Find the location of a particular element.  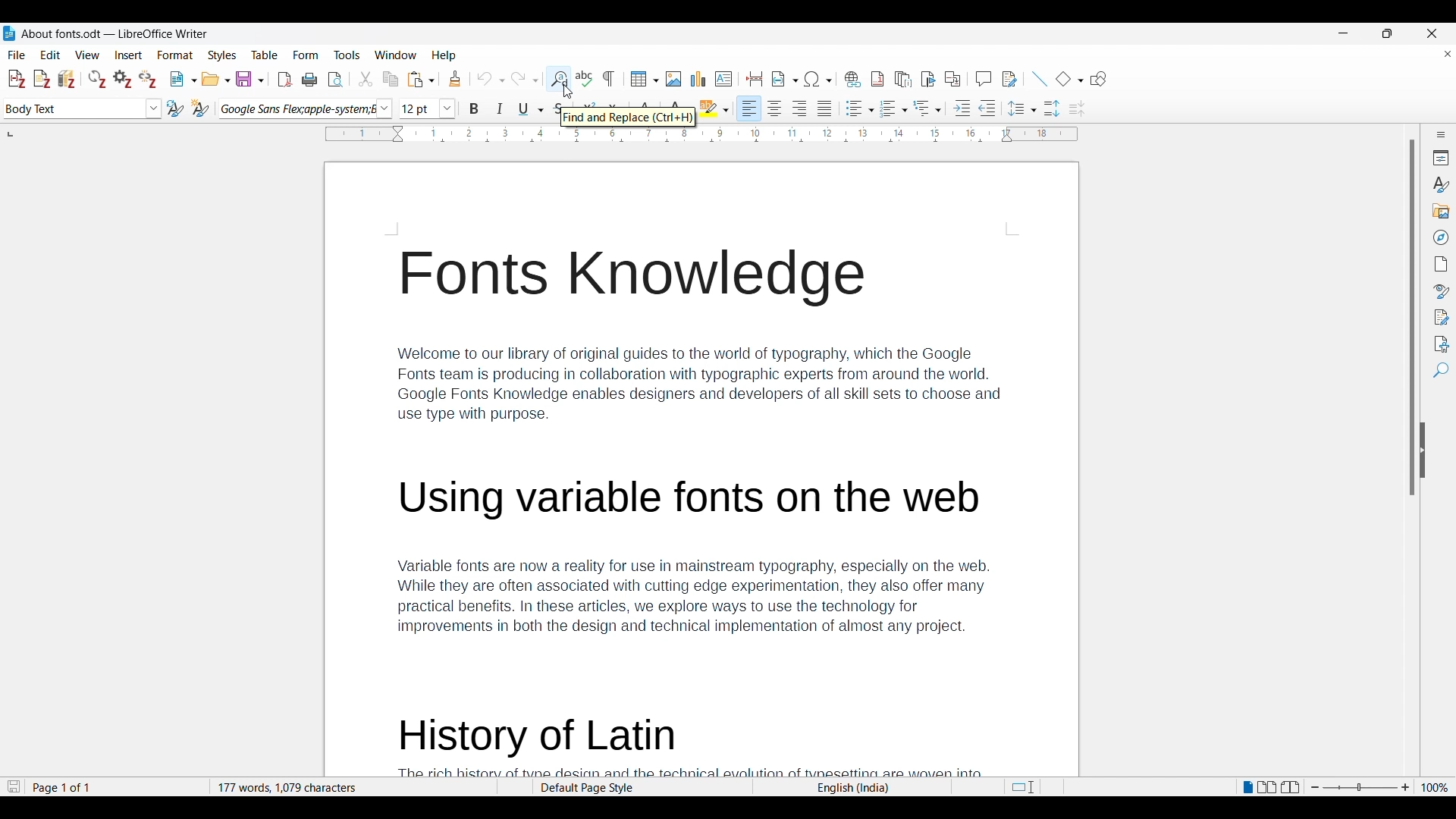

Software logo is located at coordinates (9, 33).